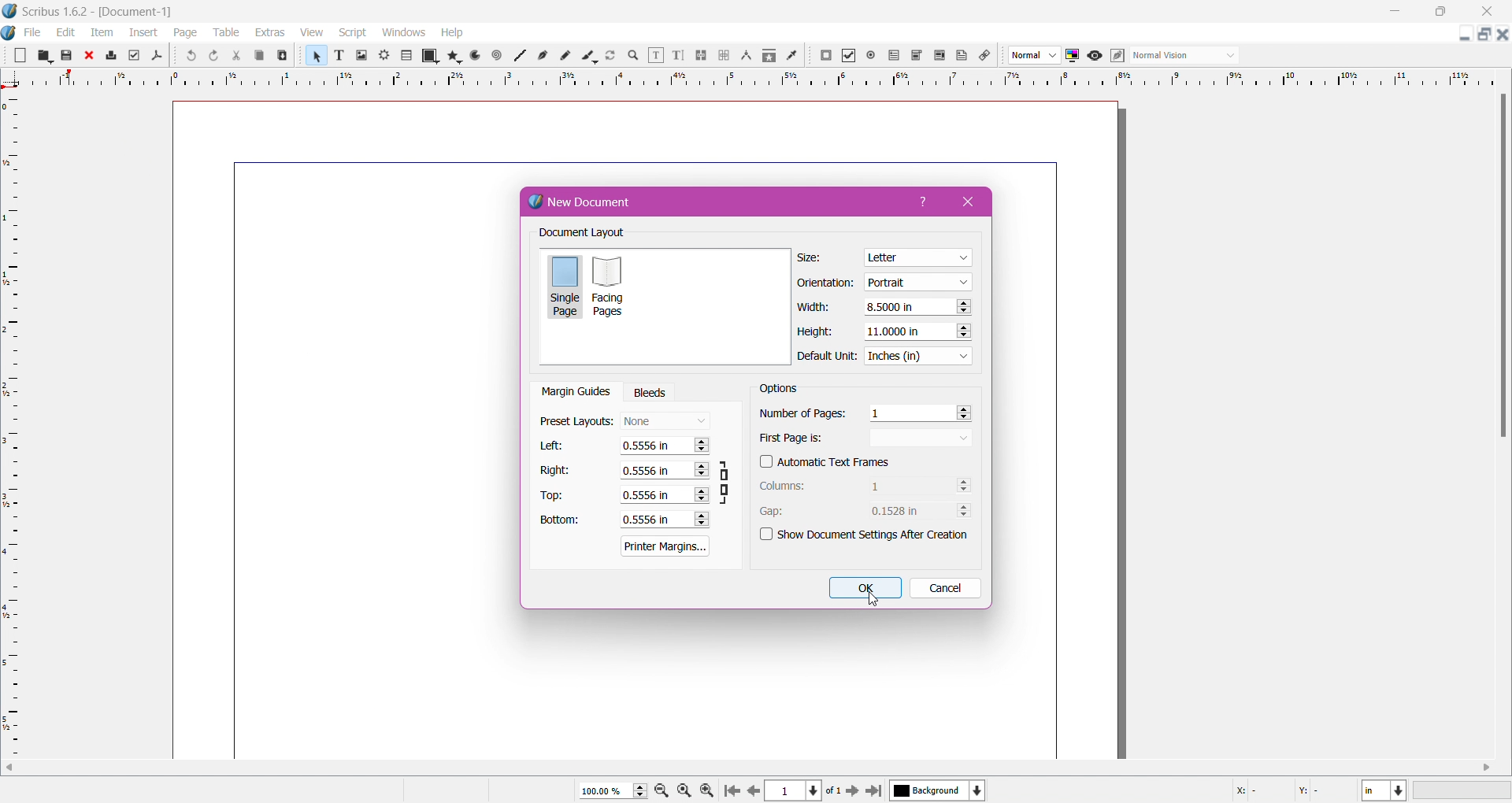 The height and width of the screenshot is (803, 1512). I want to click on in, so click(1388, 791).